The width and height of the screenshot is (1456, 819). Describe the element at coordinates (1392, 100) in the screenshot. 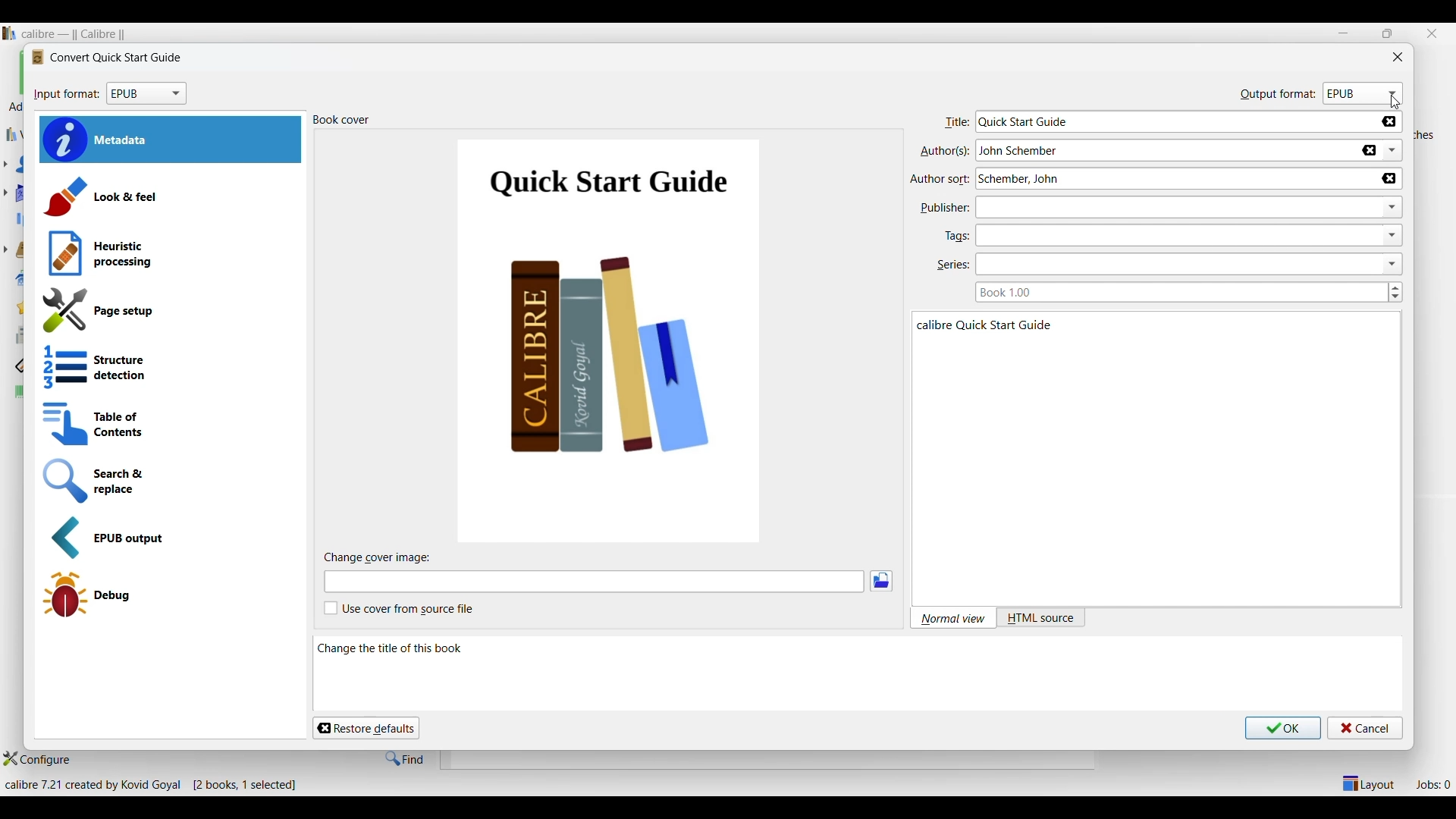

I see `cursor` at that location.